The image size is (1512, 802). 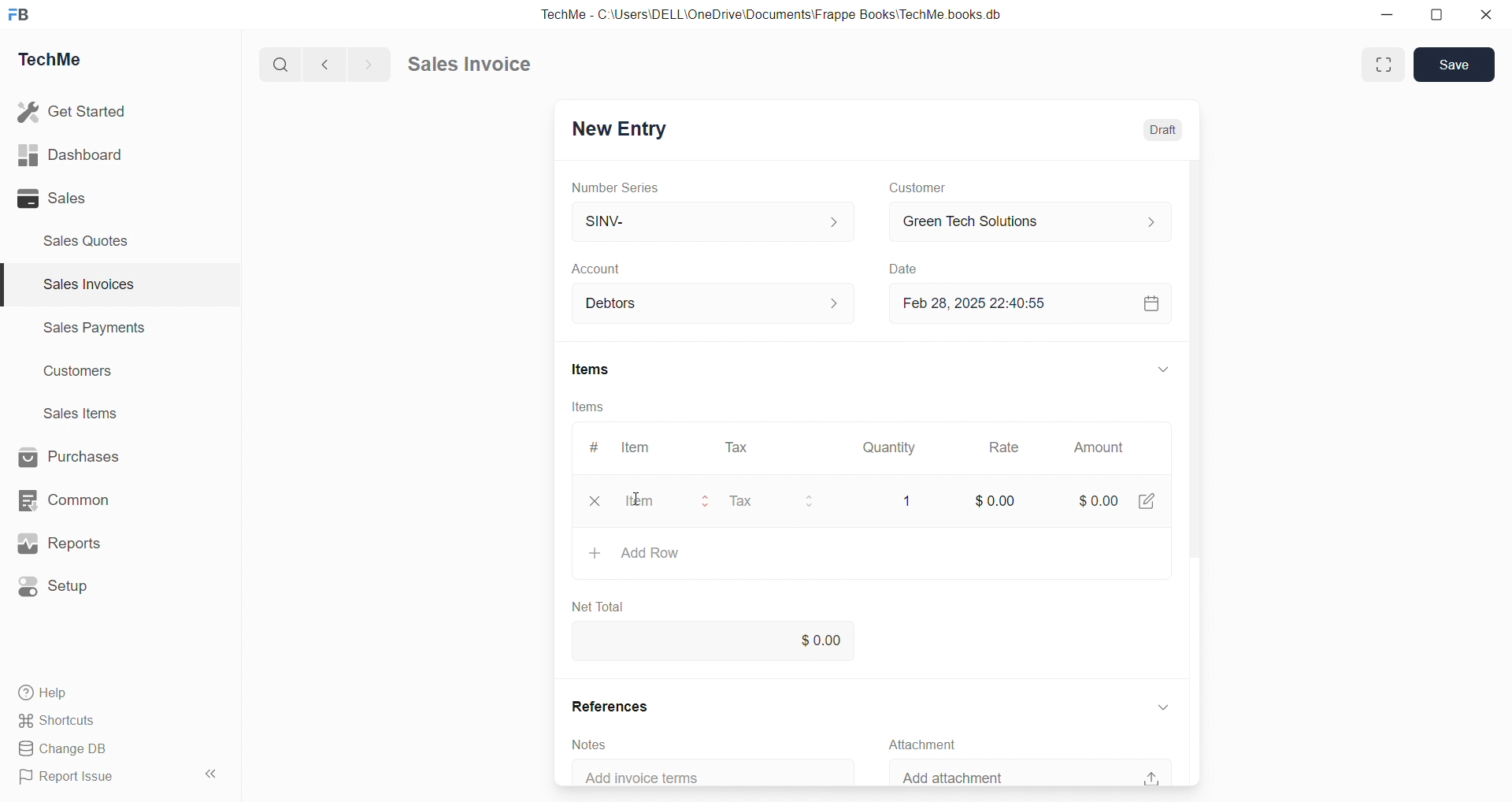 What do you see at coordinates (637, 447) in the screenshot?
I see `Item` at bounding box center [637, 447].